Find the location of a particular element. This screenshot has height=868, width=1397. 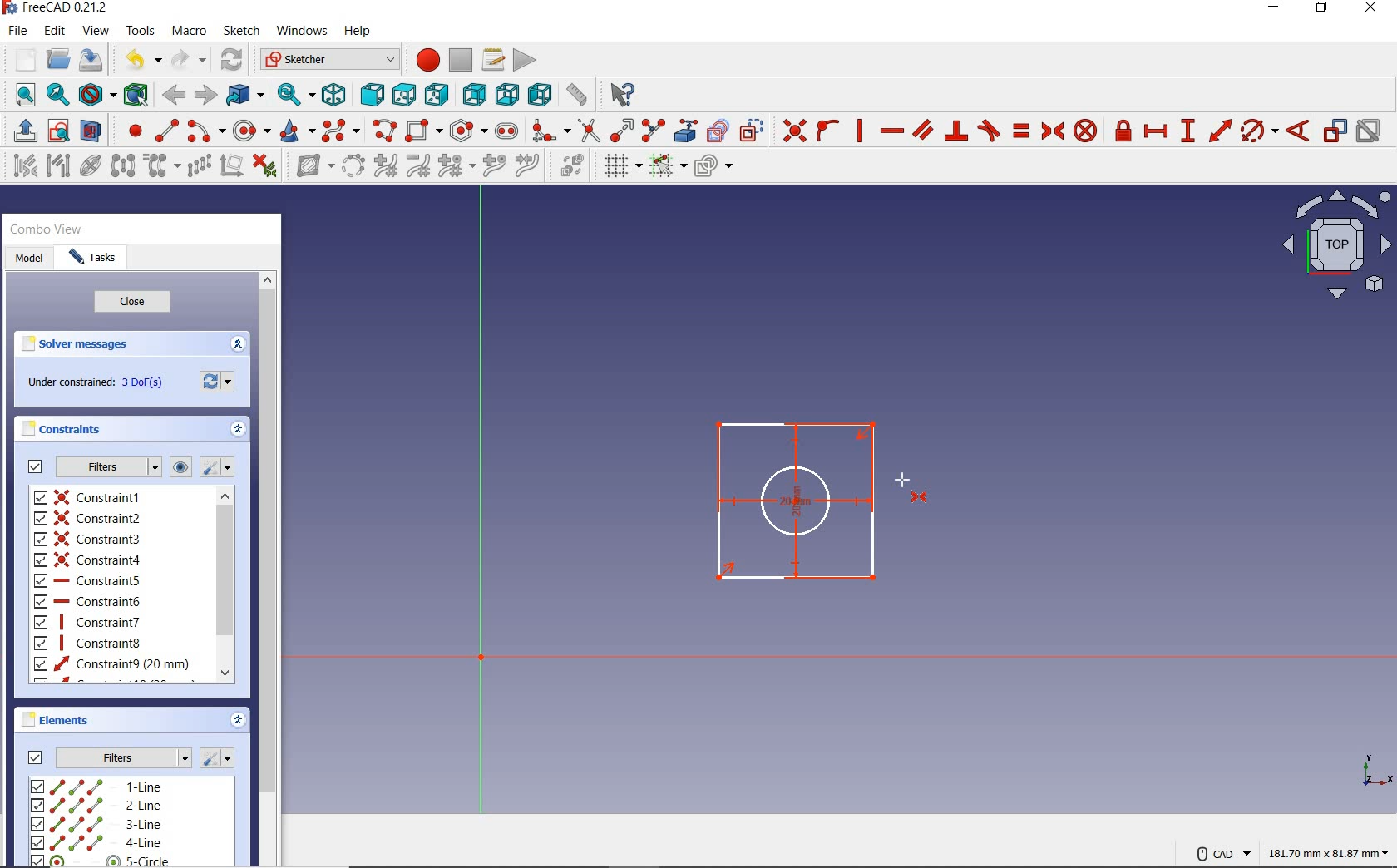

centered rectangle is located at coordinates (425, 131).